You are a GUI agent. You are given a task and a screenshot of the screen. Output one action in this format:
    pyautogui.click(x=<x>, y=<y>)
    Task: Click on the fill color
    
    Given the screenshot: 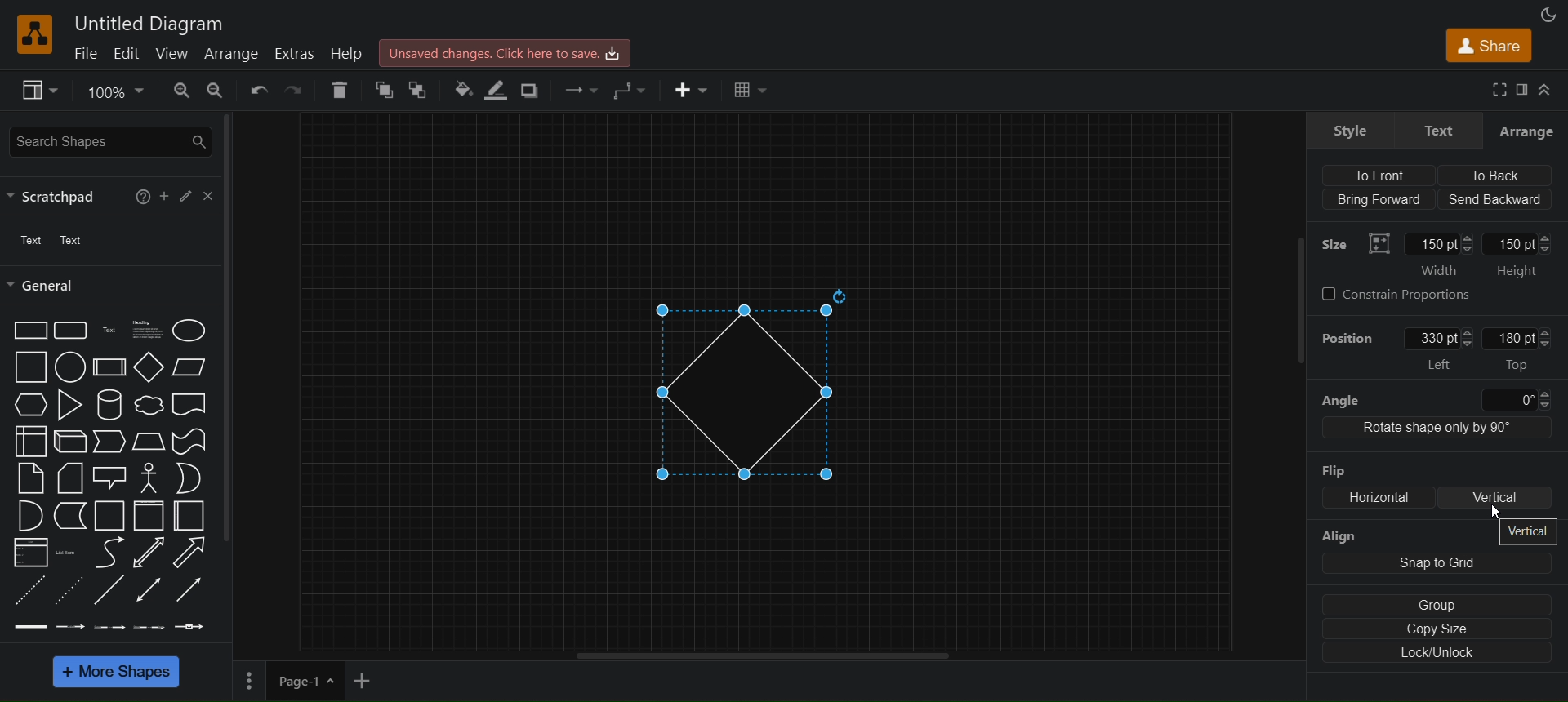 What is the action you would take?
    pyautogui.click(x=461, y=87)
    